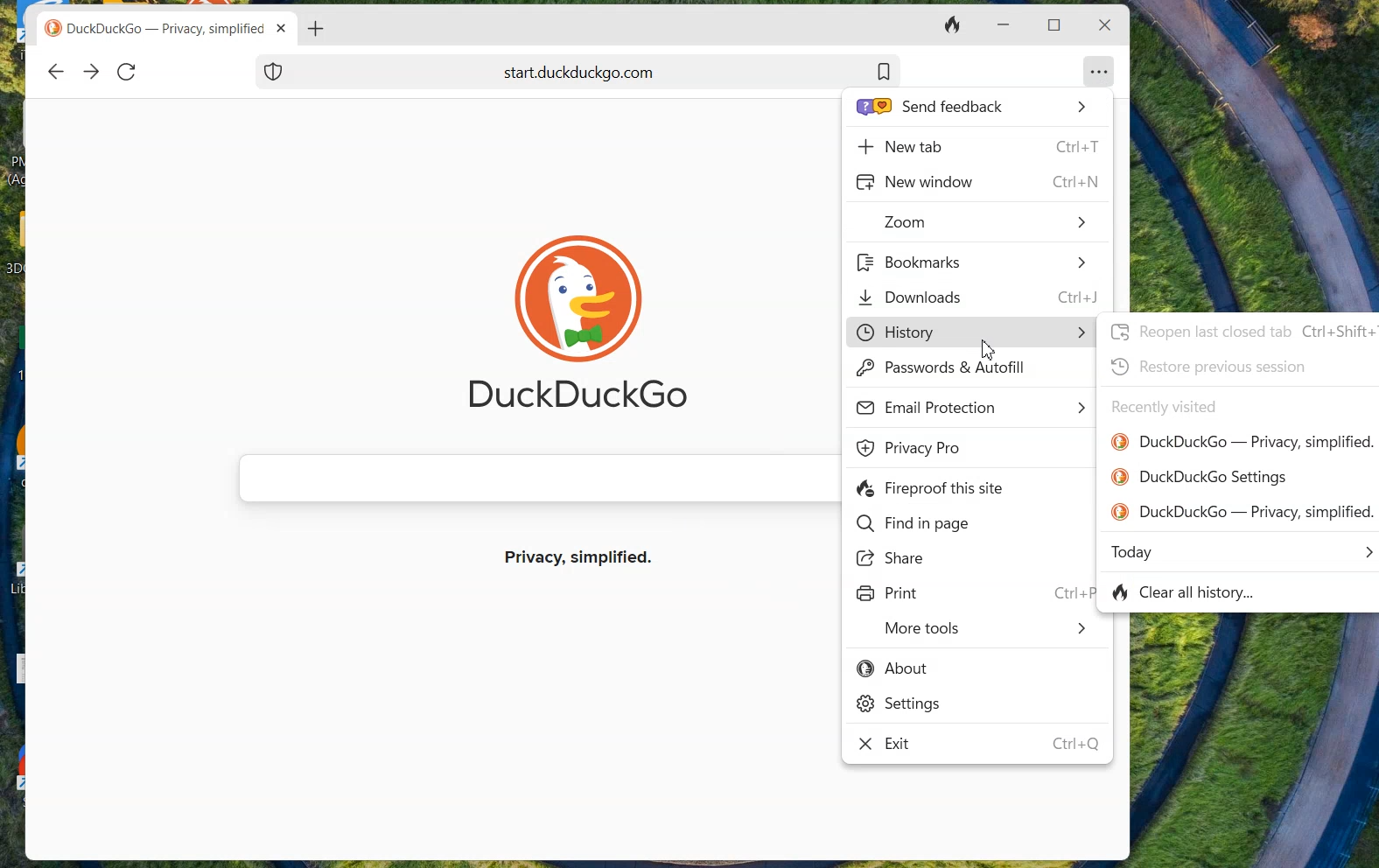  Describe the element at coordinates (970, 108) in the screenshot. I see `Send feedback` at that location.